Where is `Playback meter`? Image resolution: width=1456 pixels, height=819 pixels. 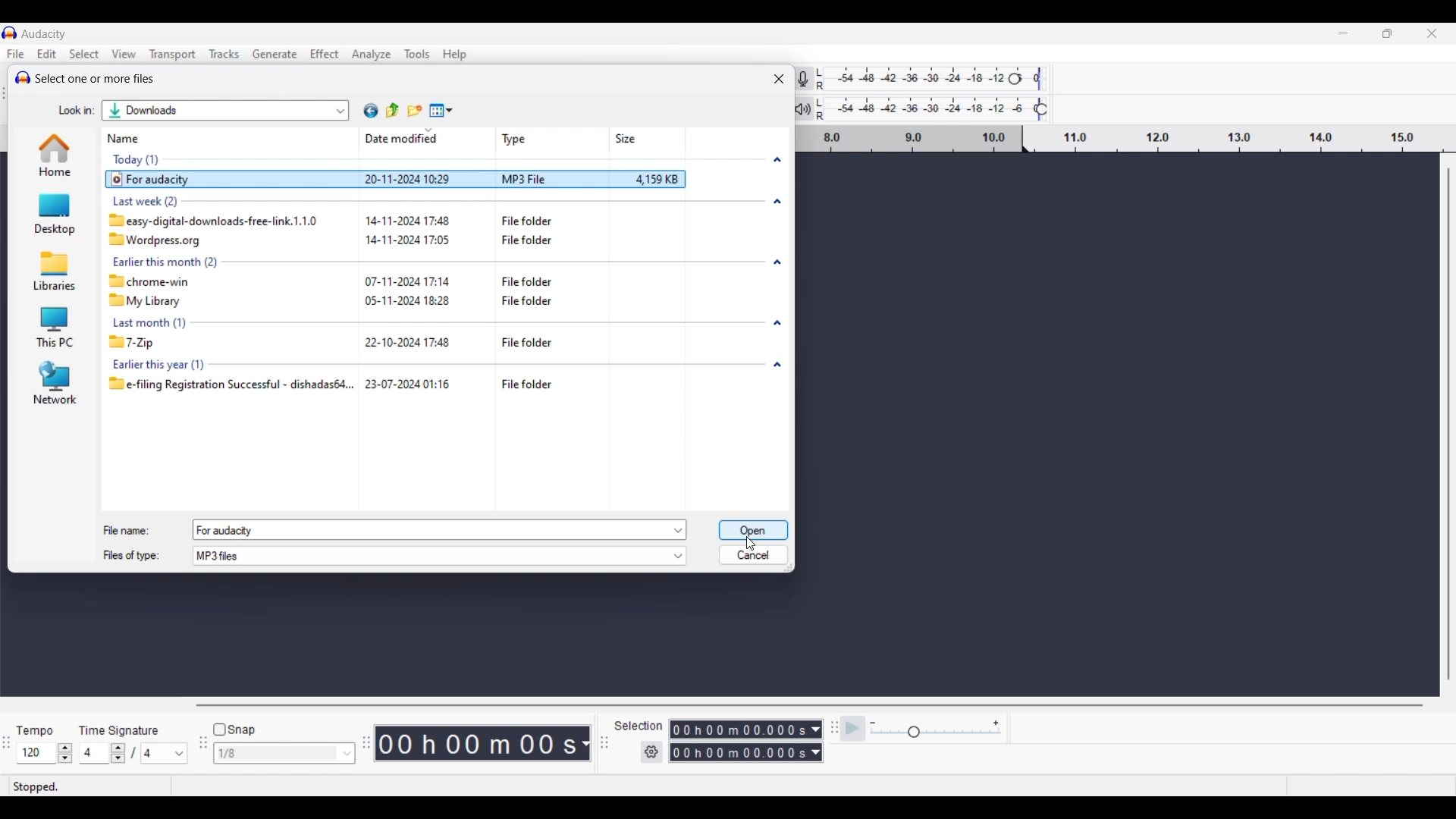
Playback meter is located at coordinates (812, 108).